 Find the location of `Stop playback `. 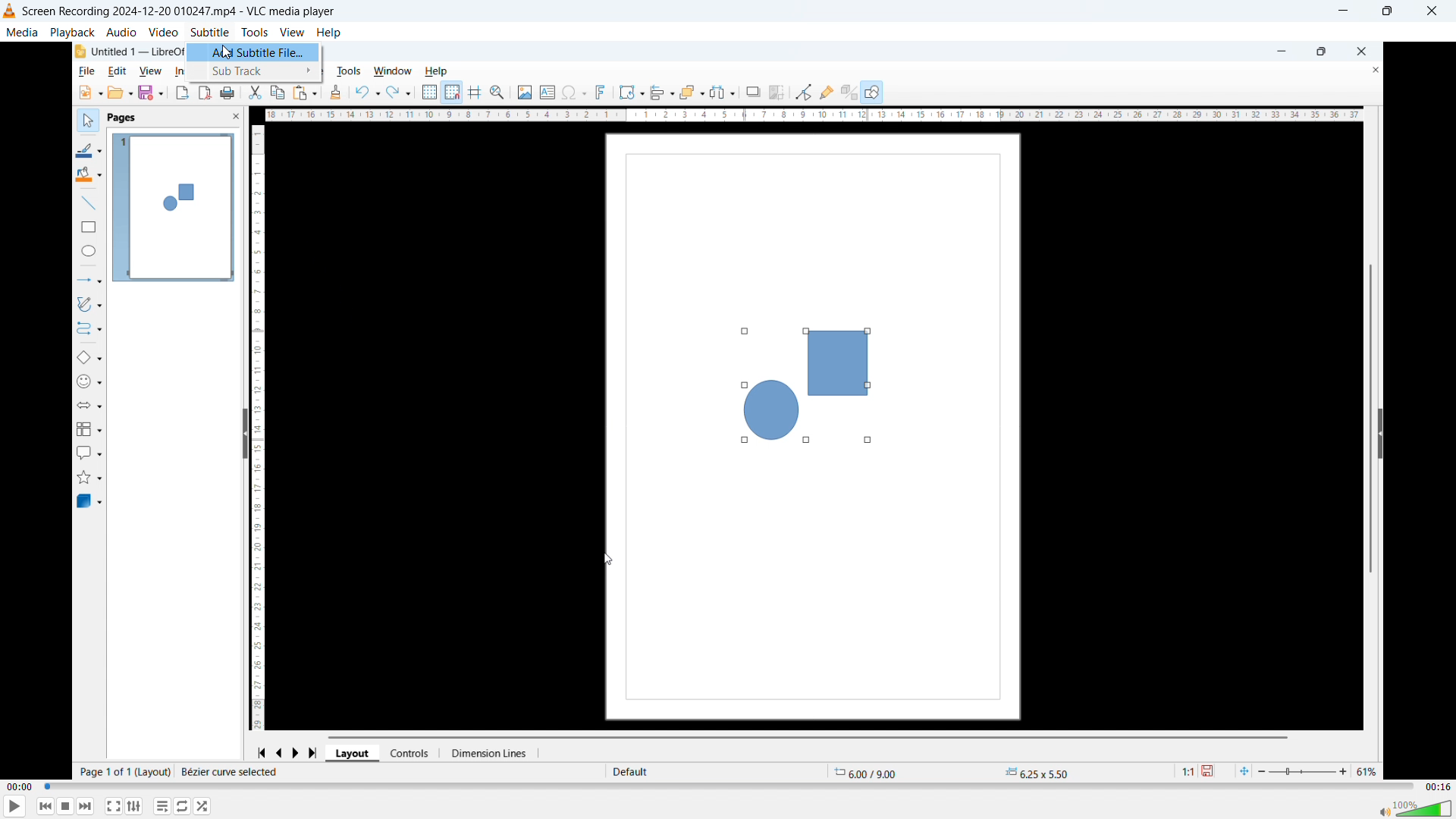

Stop playback  is located at coordinates (67, 806).